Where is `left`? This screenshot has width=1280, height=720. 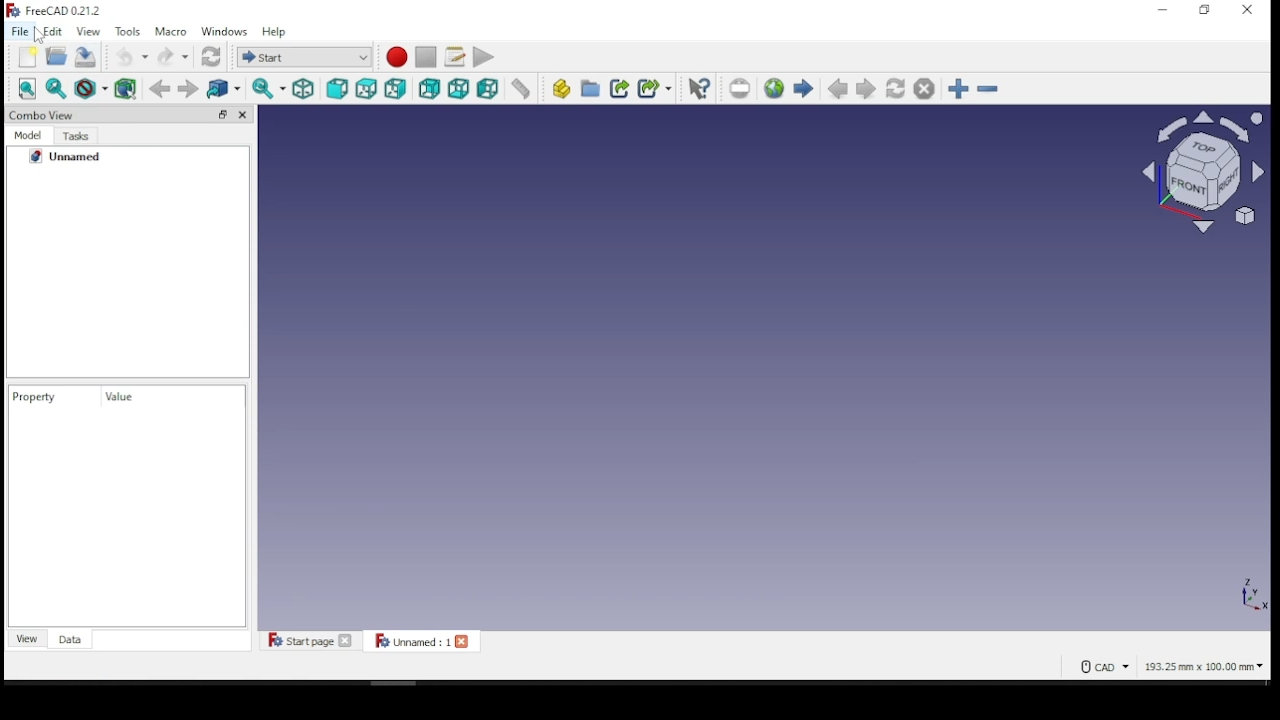
left is located at coordinates (488, 88).